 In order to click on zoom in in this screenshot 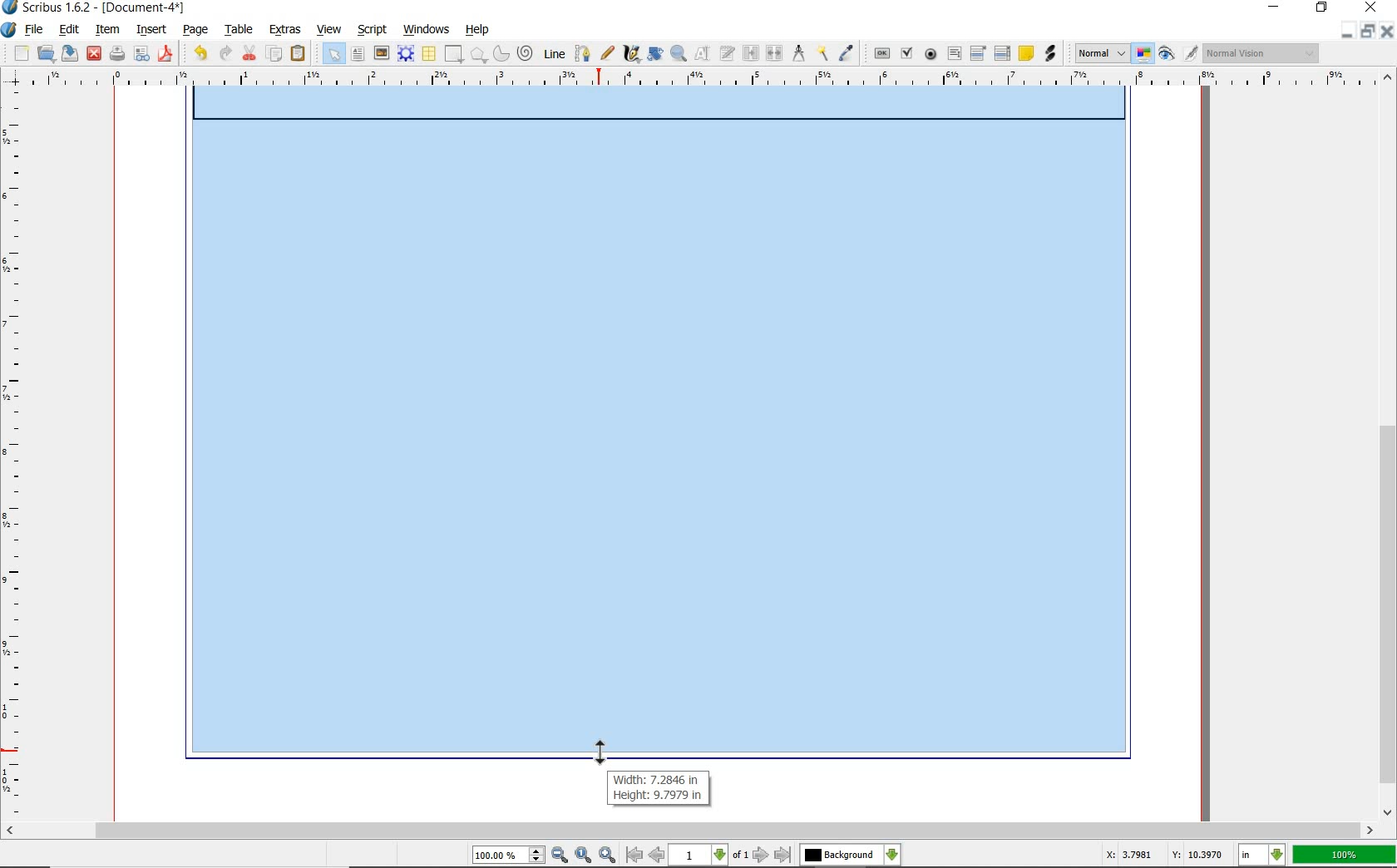, I will do `click(608, 855)`.